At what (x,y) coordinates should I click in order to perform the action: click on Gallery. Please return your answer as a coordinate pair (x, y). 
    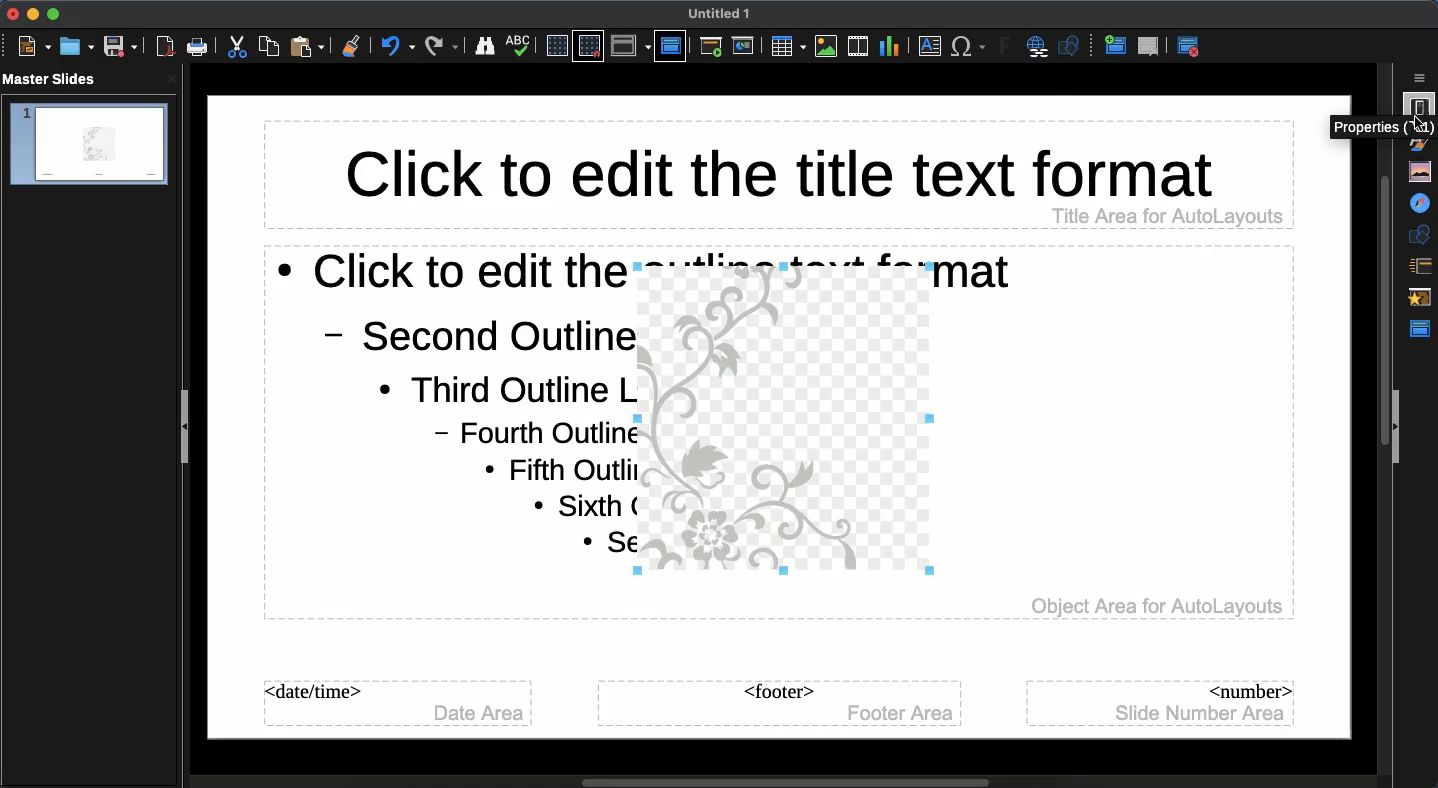
    Looking at the image, I should click on (1422, 171).